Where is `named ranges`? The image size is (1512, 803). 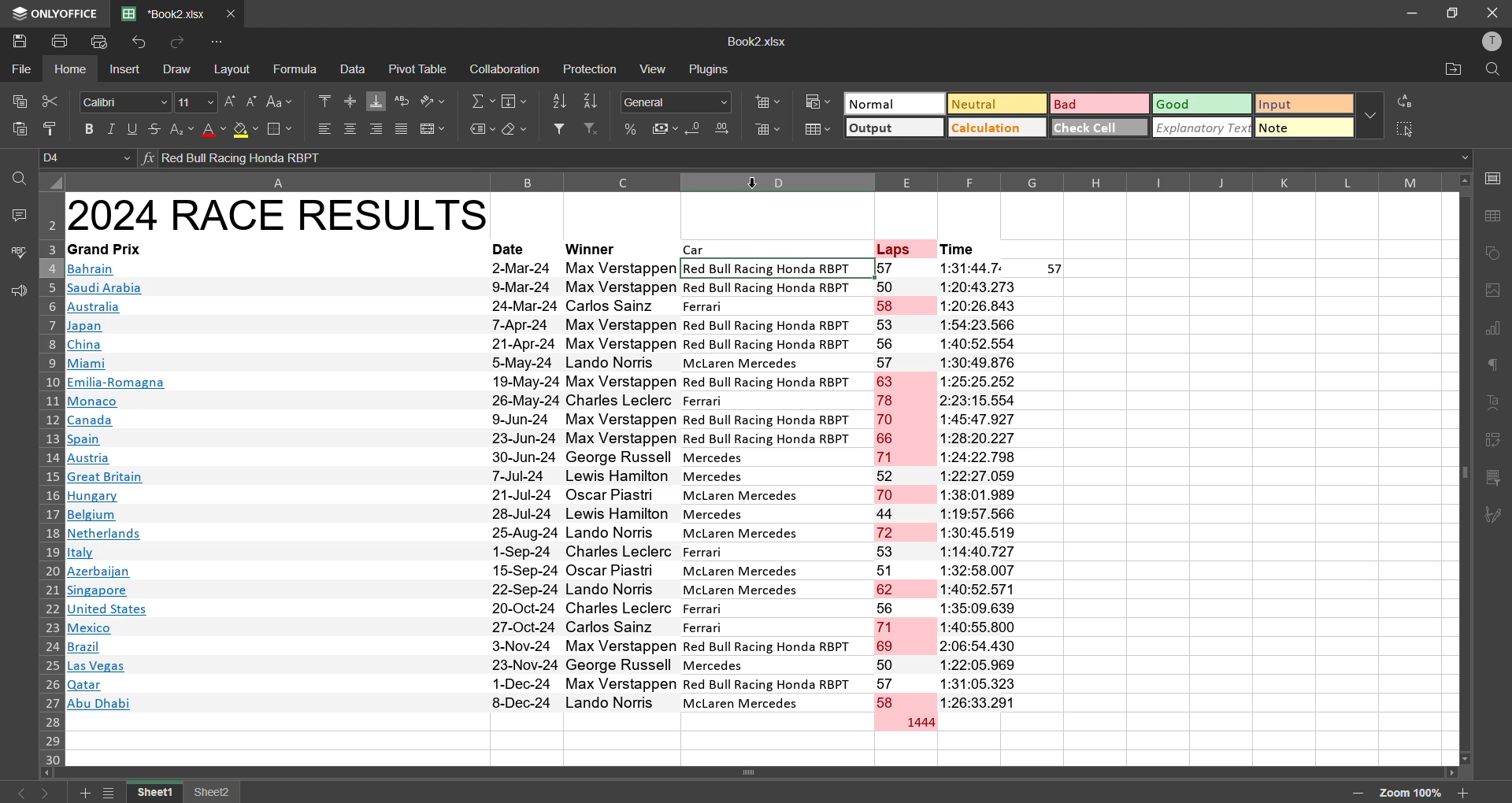
named ranges is located at coordinates (482, 130).